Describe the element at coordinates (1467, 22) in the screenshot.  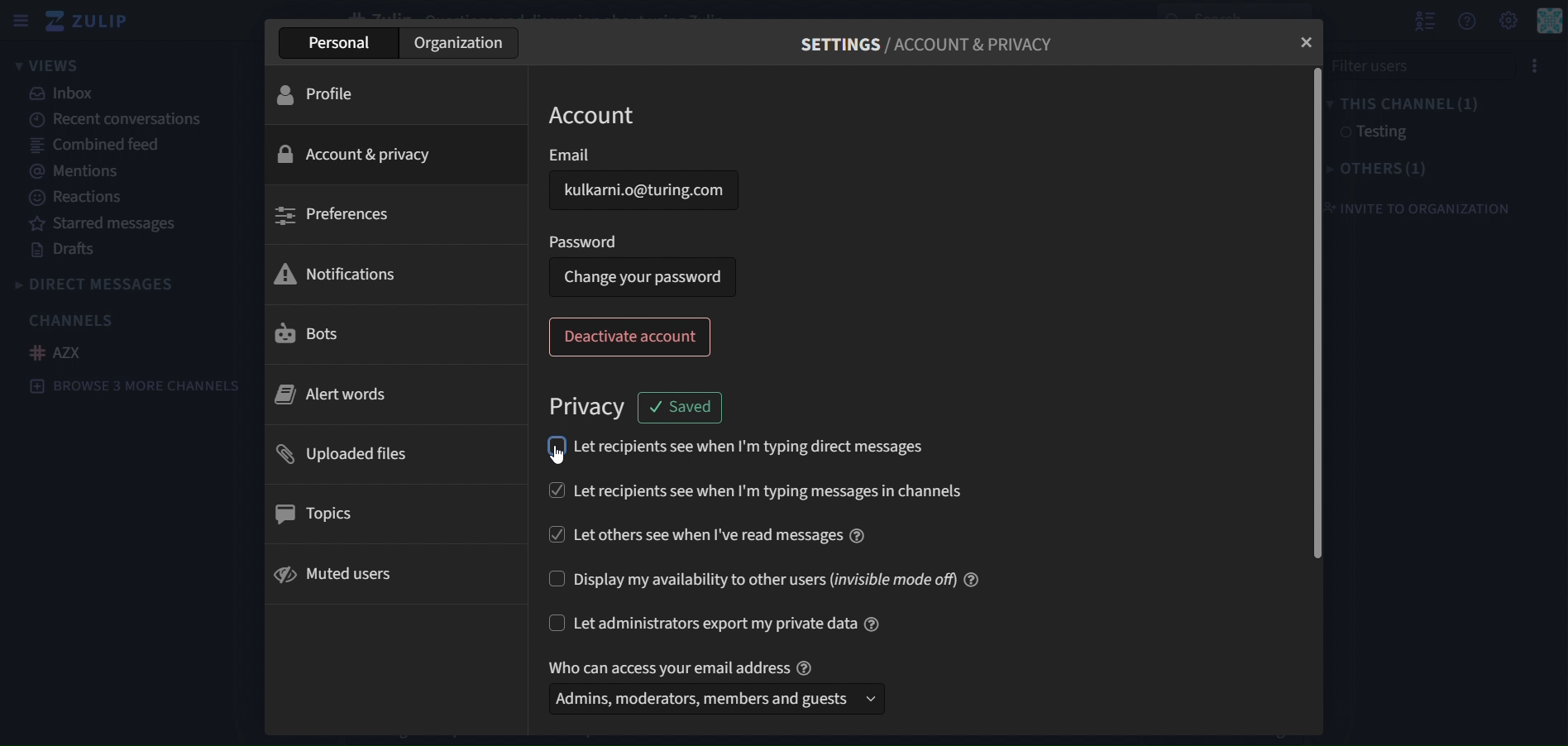
I see `get help` at that location.